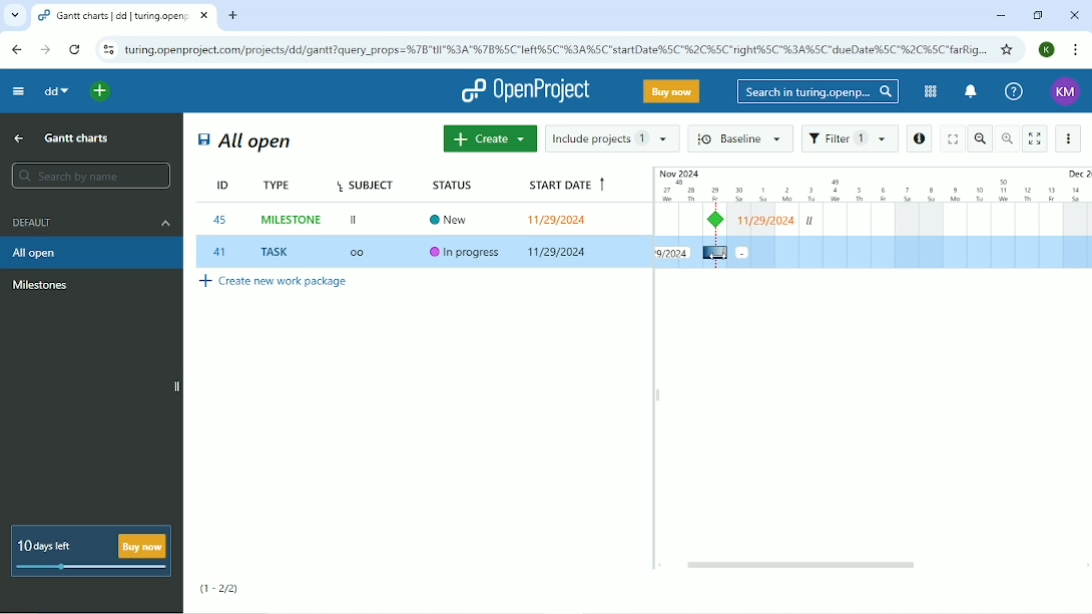 Image resolution: width=1092 pixels, height=614 pixels. Describe the element at coordinates (279, 185) in the screenshot. I see `Type` at that location.